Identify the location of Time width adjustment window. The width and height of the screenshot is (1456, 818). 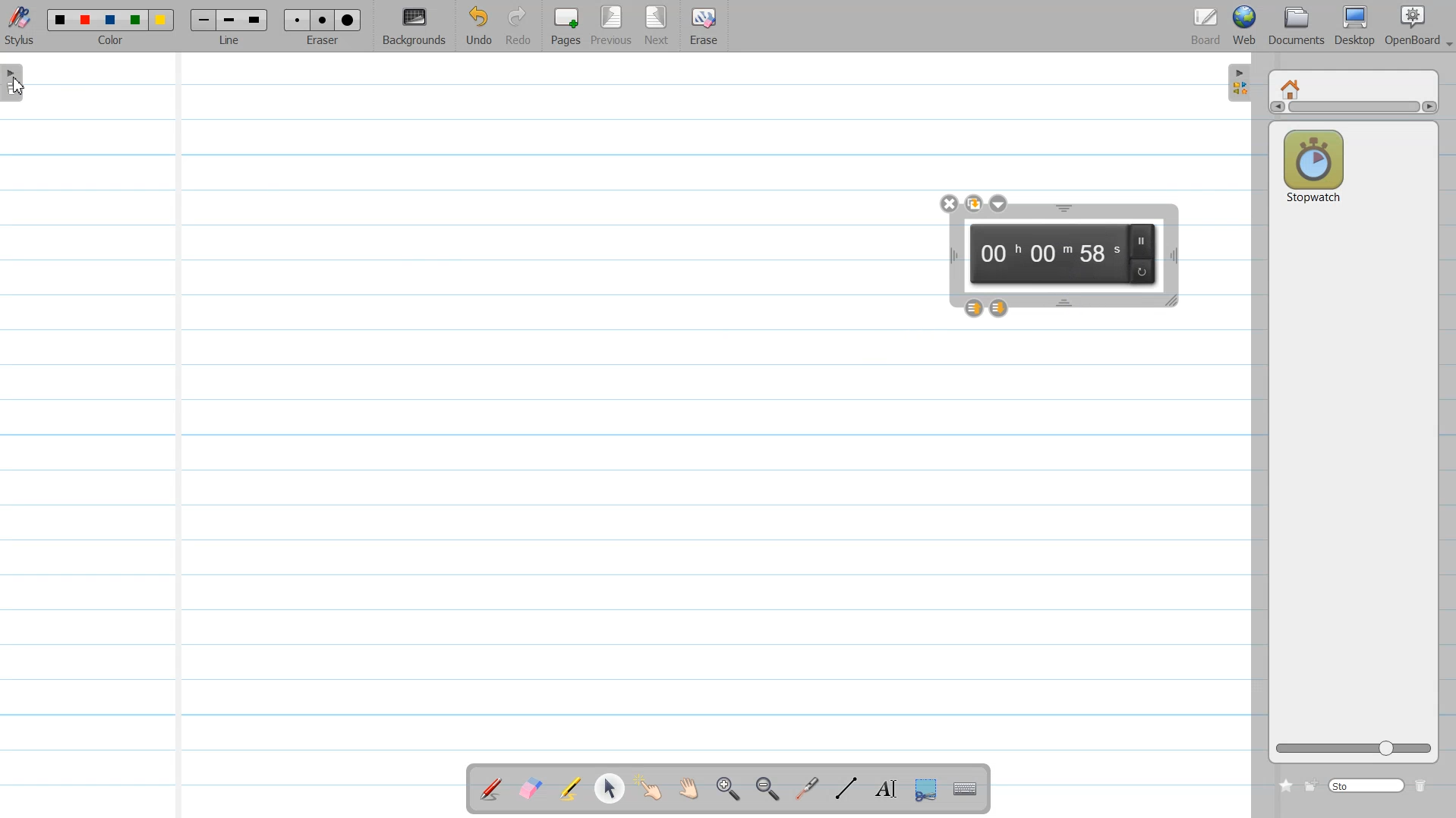
(1173, 256).